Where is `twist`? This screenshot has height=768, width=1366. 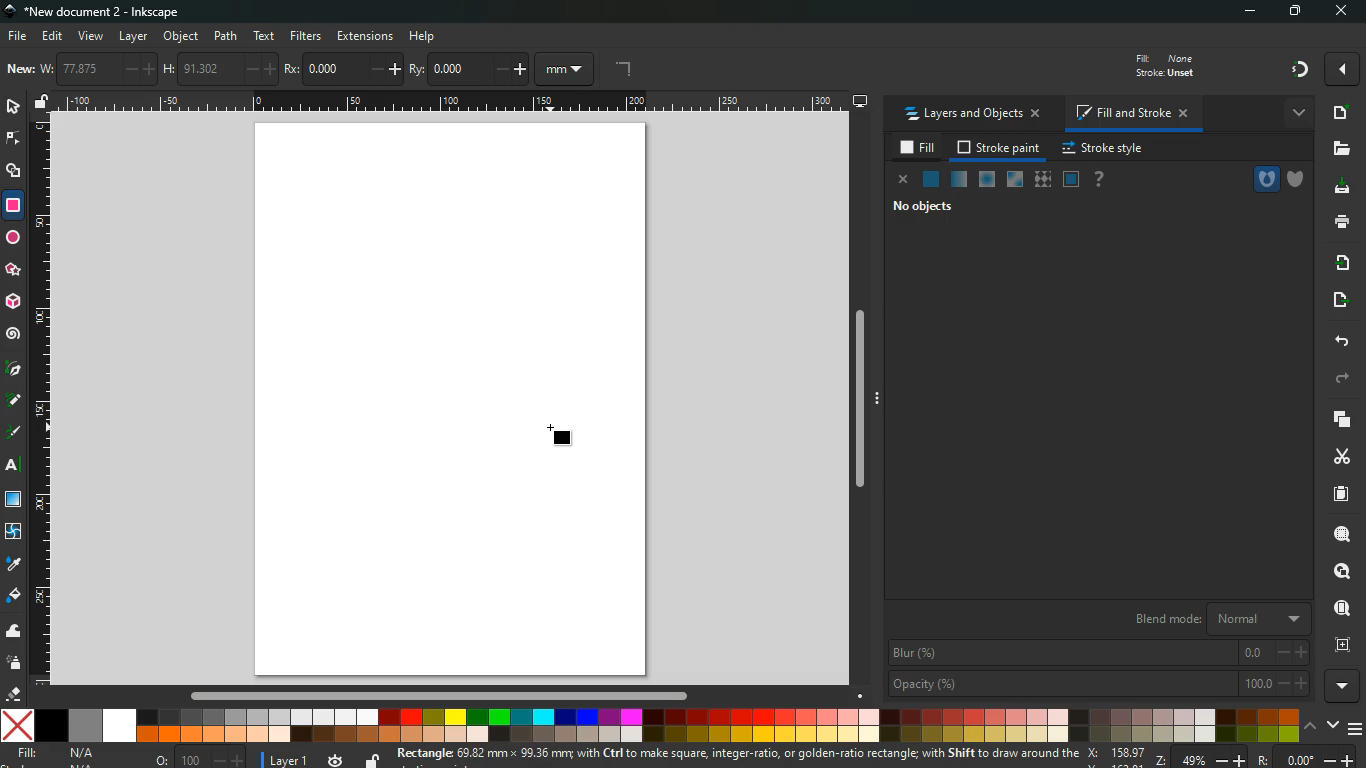 twist is located at coordinates (13, 530).